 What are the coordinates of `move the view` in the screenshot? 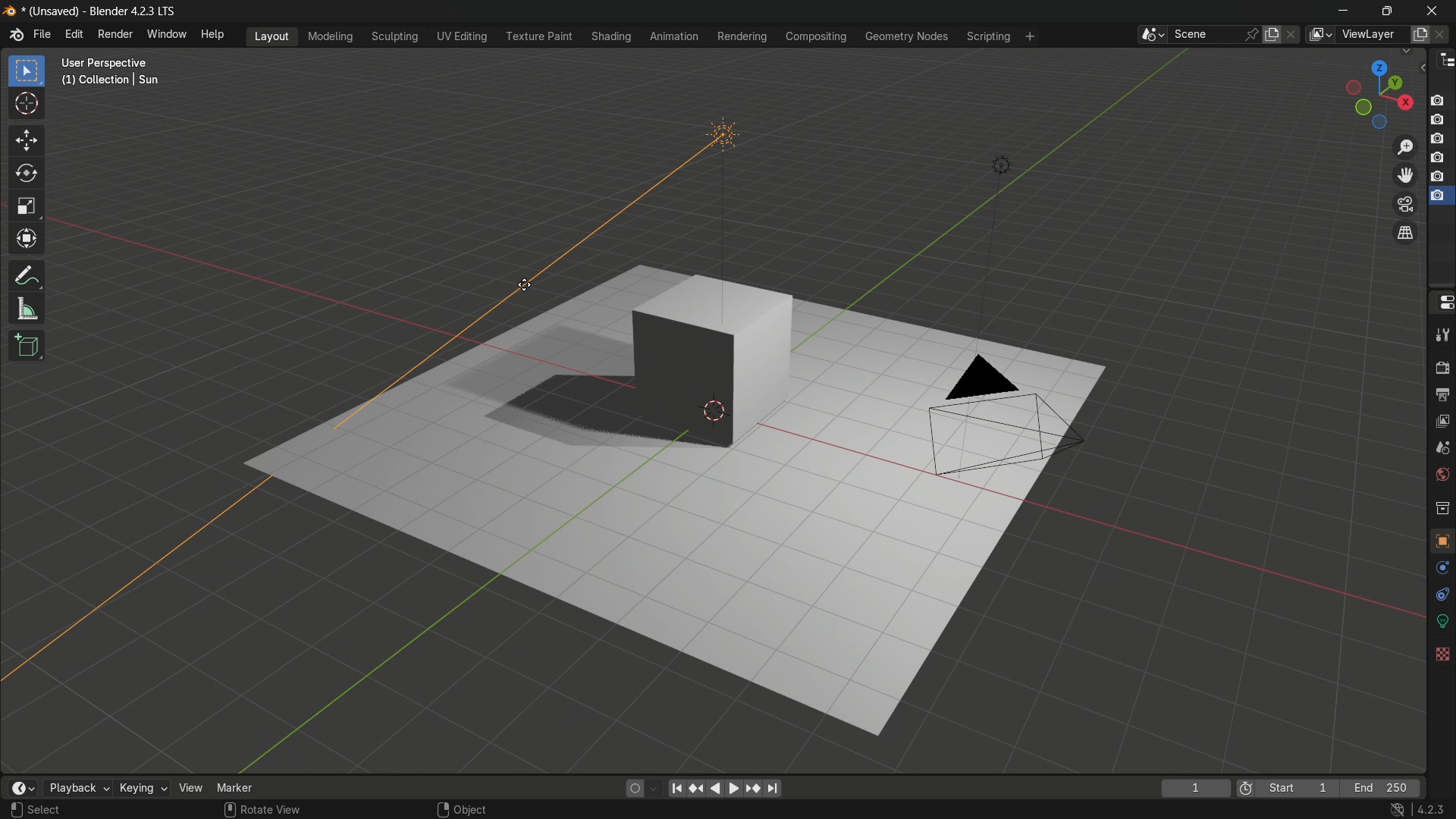 It's located at (1405, 174).